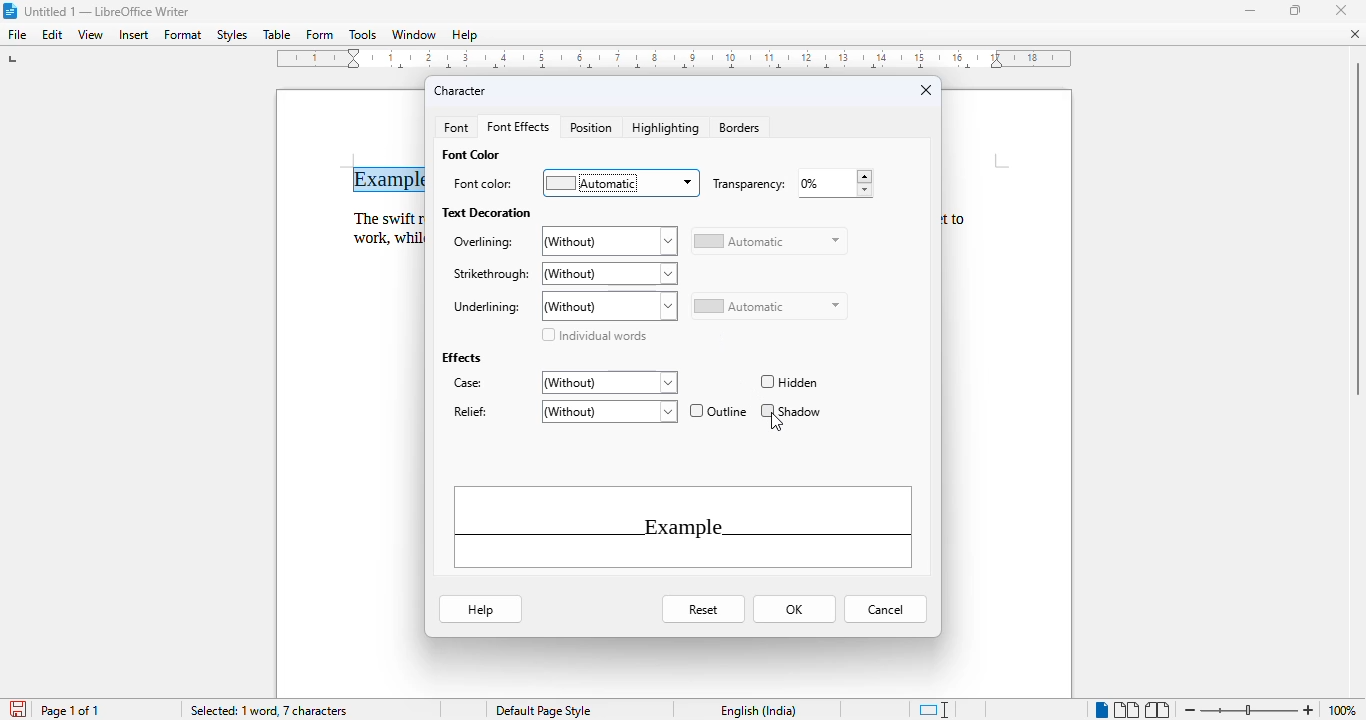 Image resolution: width=1366 pixels, height=720 pixels. What do you see at coordinates (574, 182) in the screenshot?
I see `font color: automatic` at bounding box center [574, 182].